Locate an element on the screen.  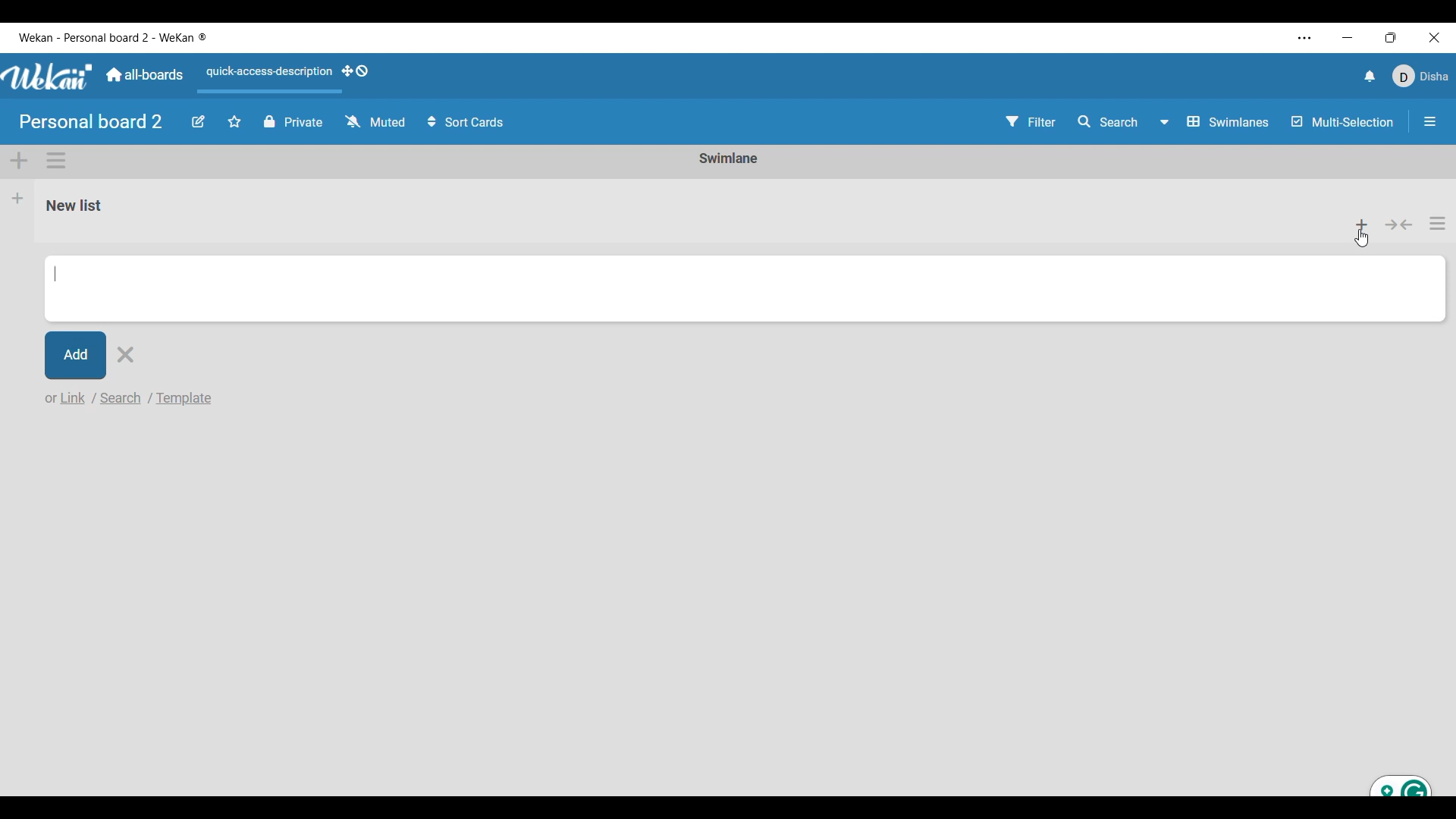
Show interface in a smaller tab  is located at coordinates (1392, 37).